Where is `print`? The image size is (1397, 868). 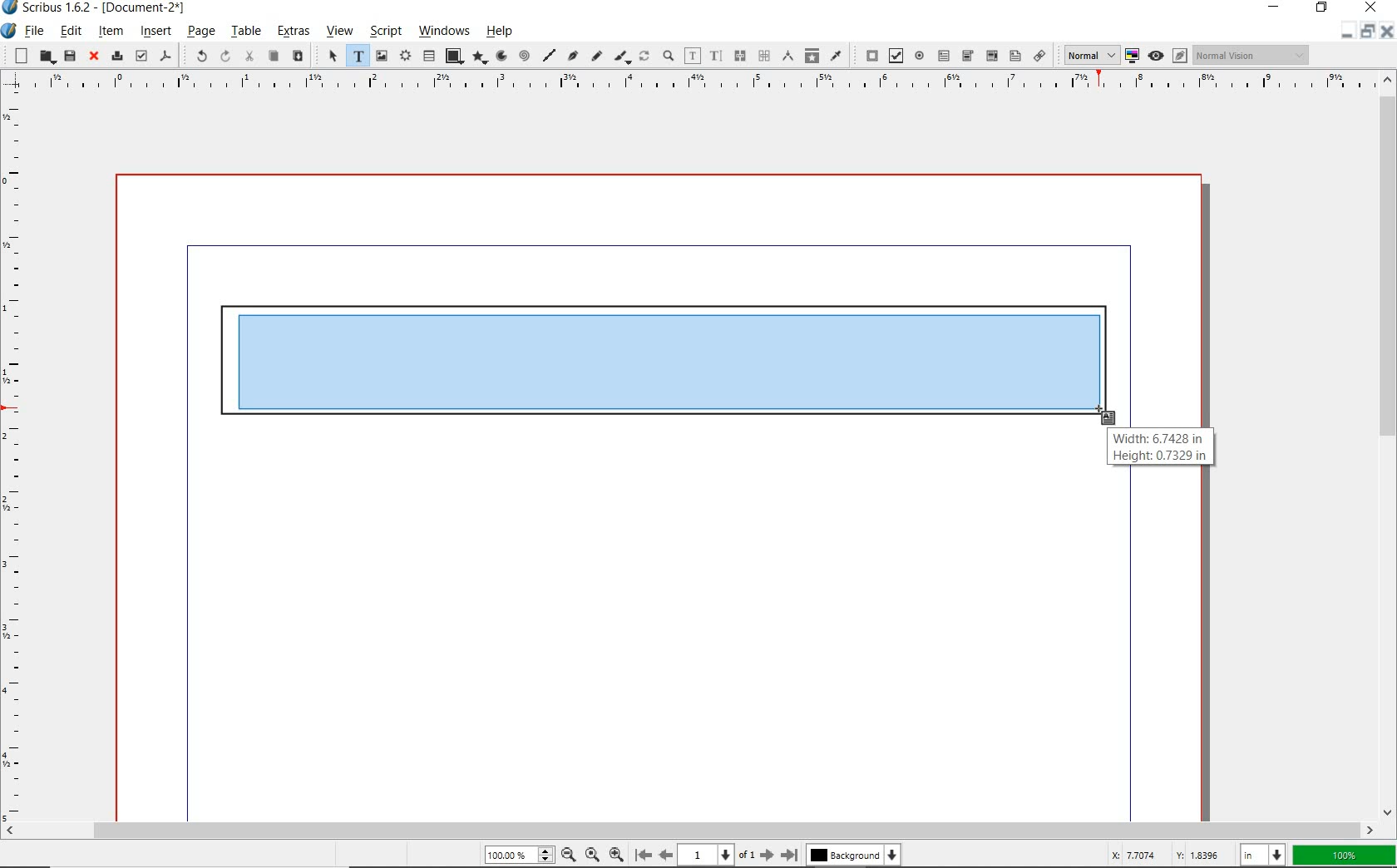
print is located at coordinates (116, 56).